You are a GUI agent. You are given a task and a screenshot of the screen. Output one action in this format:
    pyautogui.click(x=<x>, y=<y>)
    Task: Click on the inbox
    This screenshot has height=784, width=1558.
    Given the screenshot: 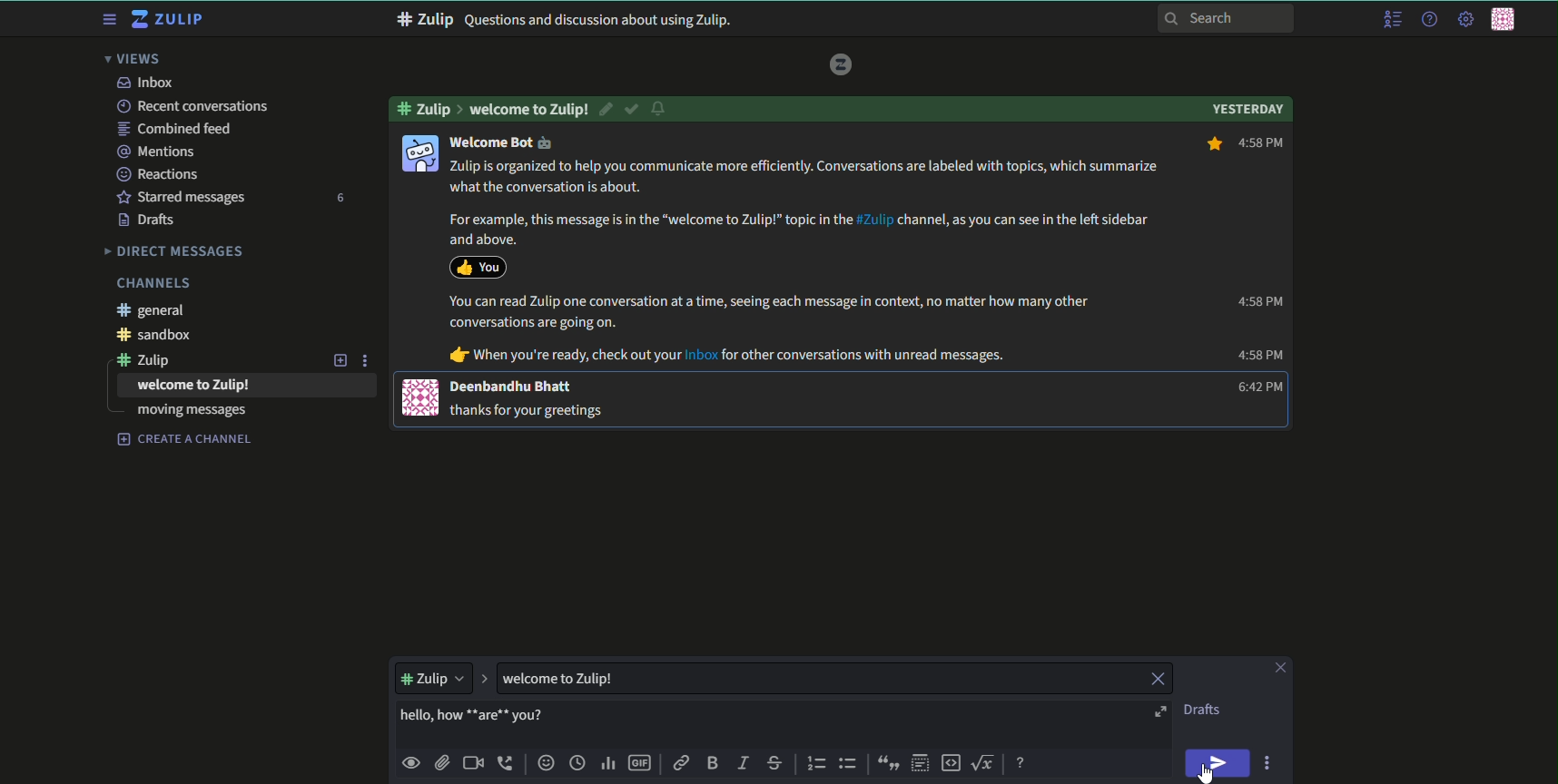 What is the action you would take?
    pyautogui.click(x=144, y=83)
    